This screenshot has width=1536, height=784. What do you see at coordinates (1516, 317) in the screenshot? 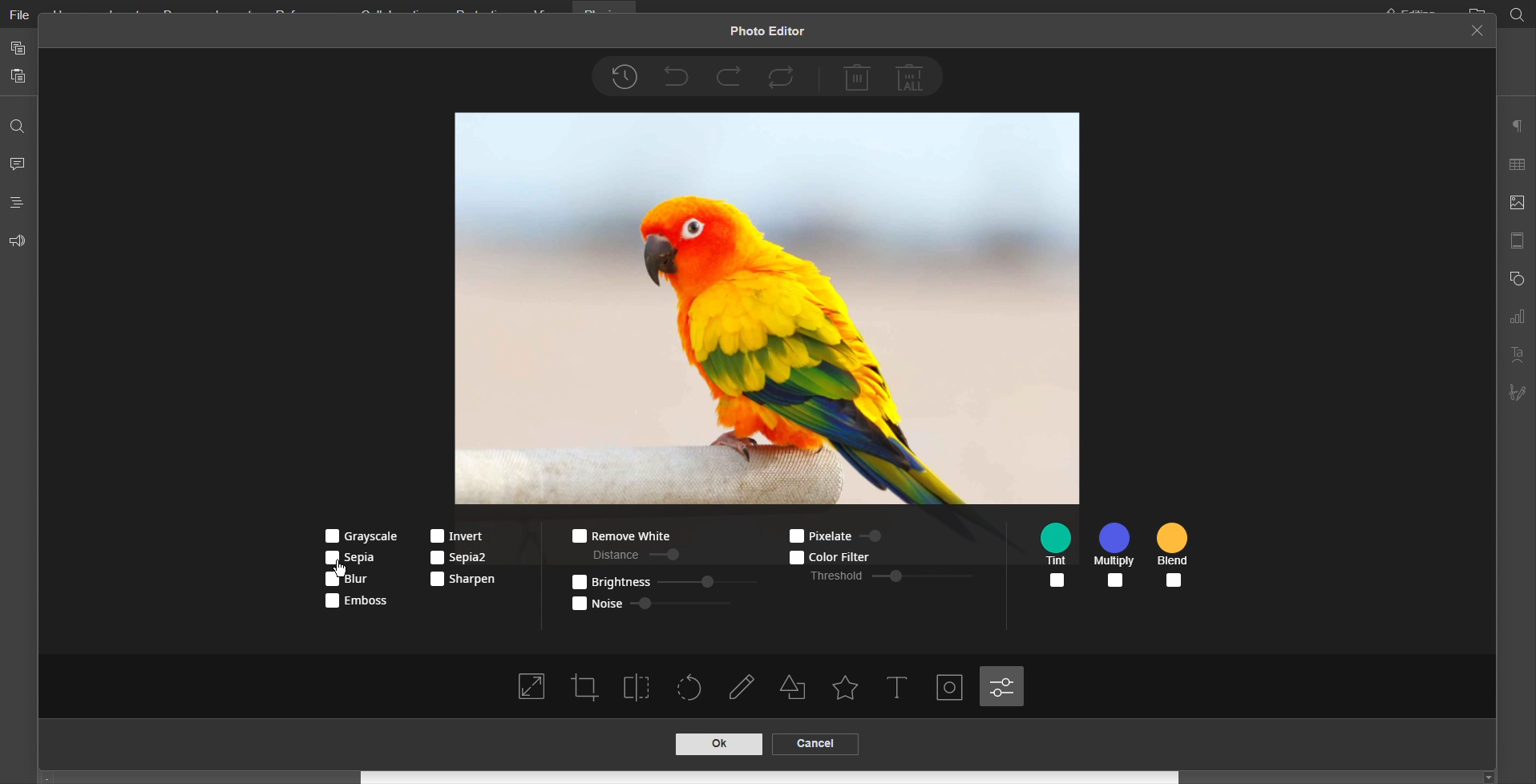
I see `Graph Settings` at bounding box center [1516, 317].